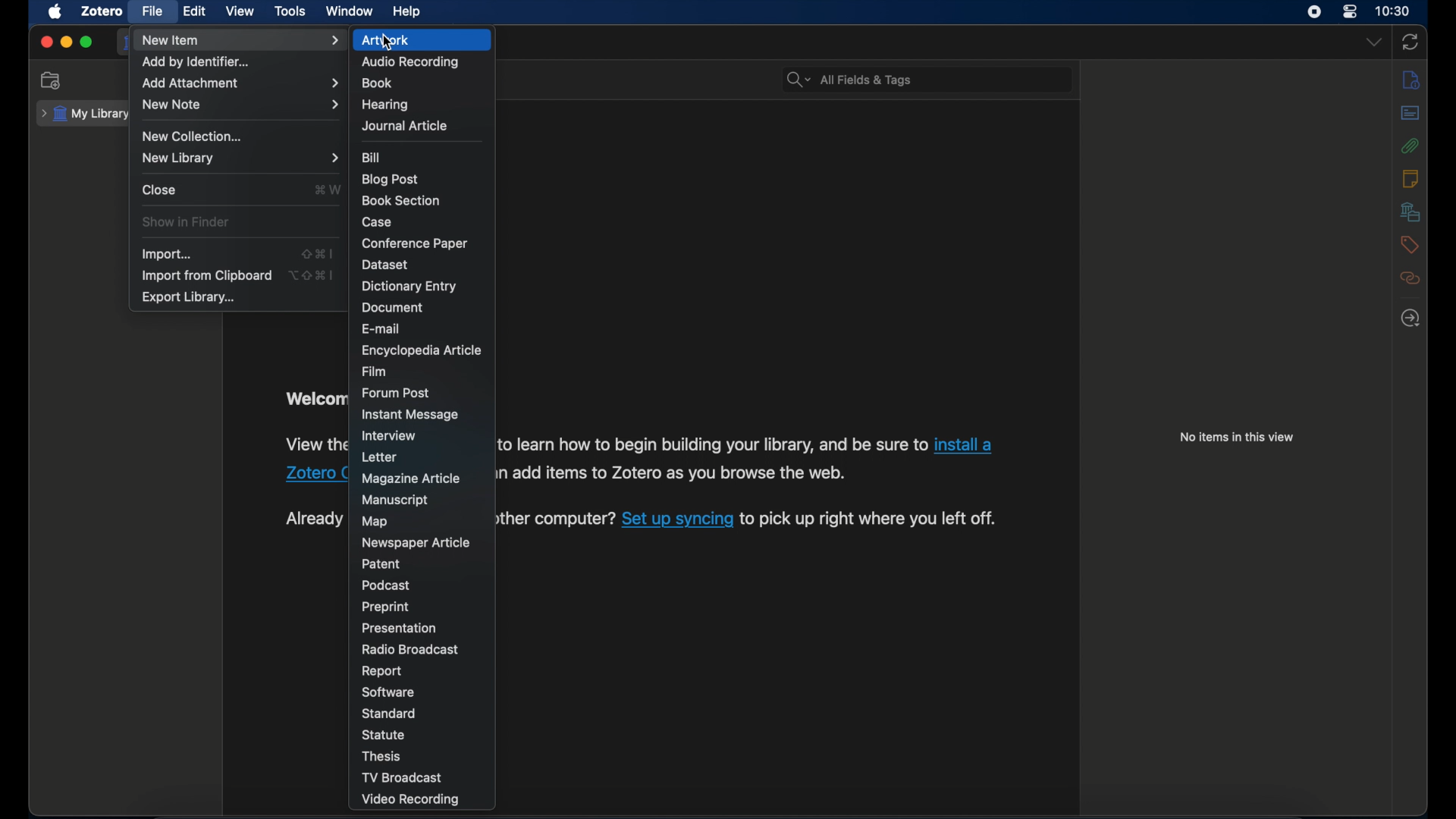 The image size is (1456, 819). I want to click on patent, so click(381, 564).